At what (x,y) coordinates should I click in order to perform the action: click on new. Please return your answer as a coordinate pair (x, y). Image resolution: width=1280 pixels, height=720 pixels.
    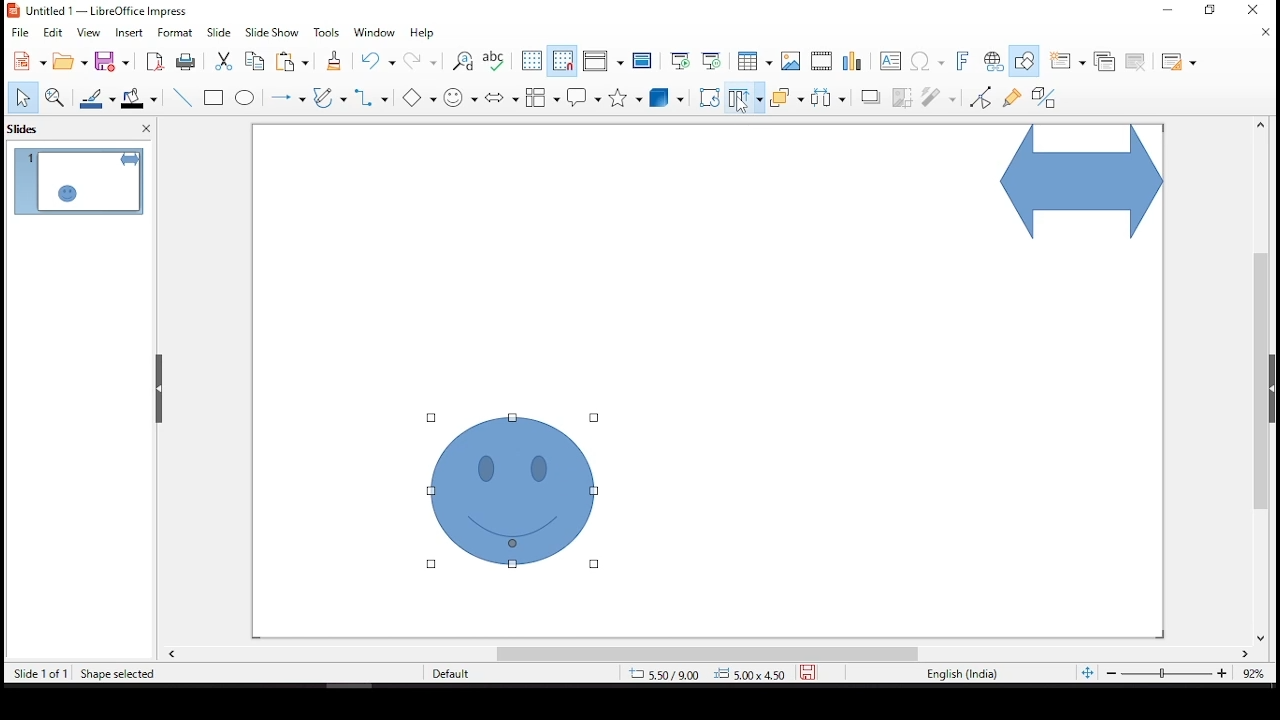
    Looking at the image, I should click on (25, 62).